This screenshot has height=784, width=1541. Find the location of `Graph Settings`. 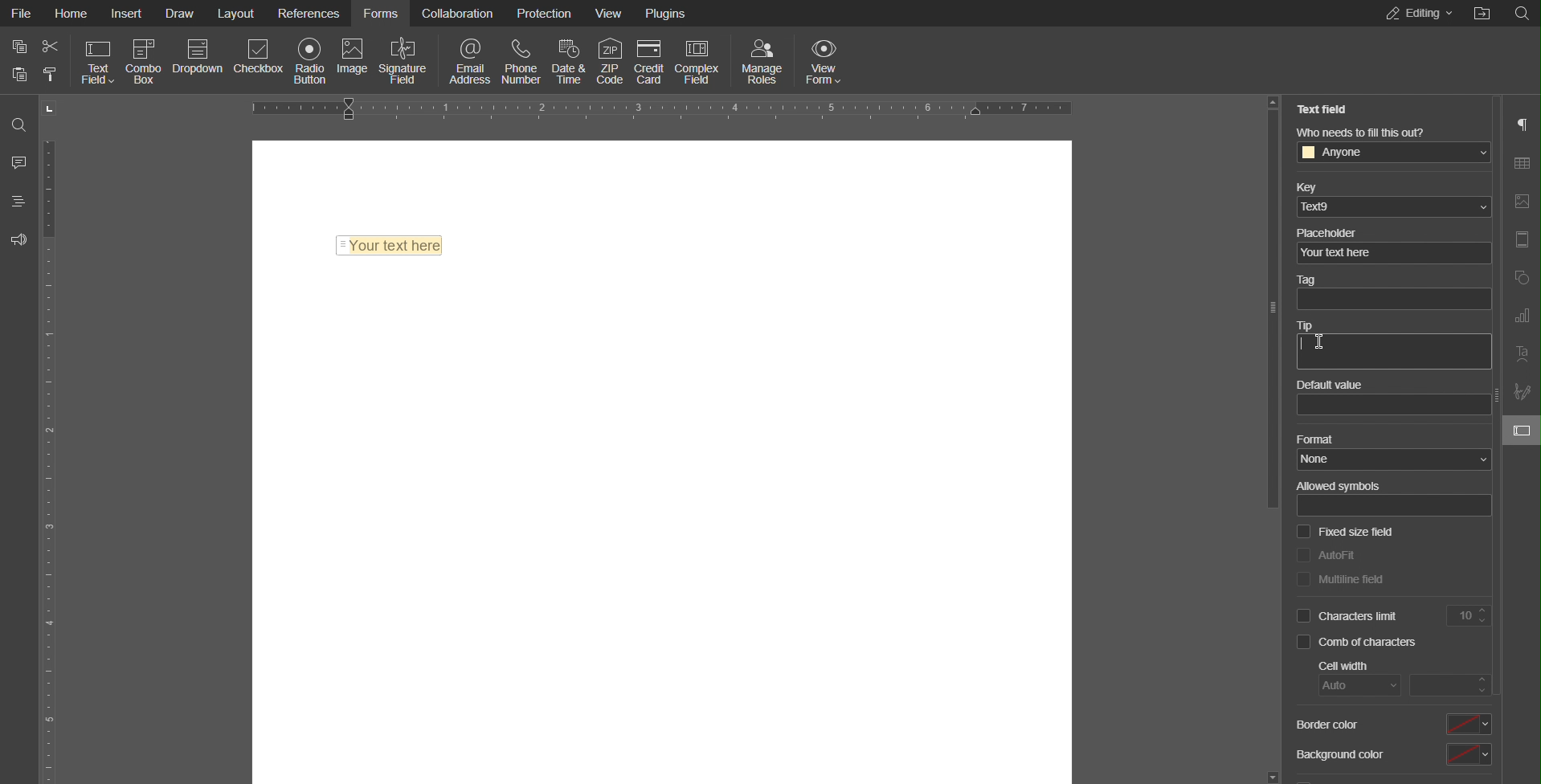

Graph Settings is located at coordinates (1520, 314).